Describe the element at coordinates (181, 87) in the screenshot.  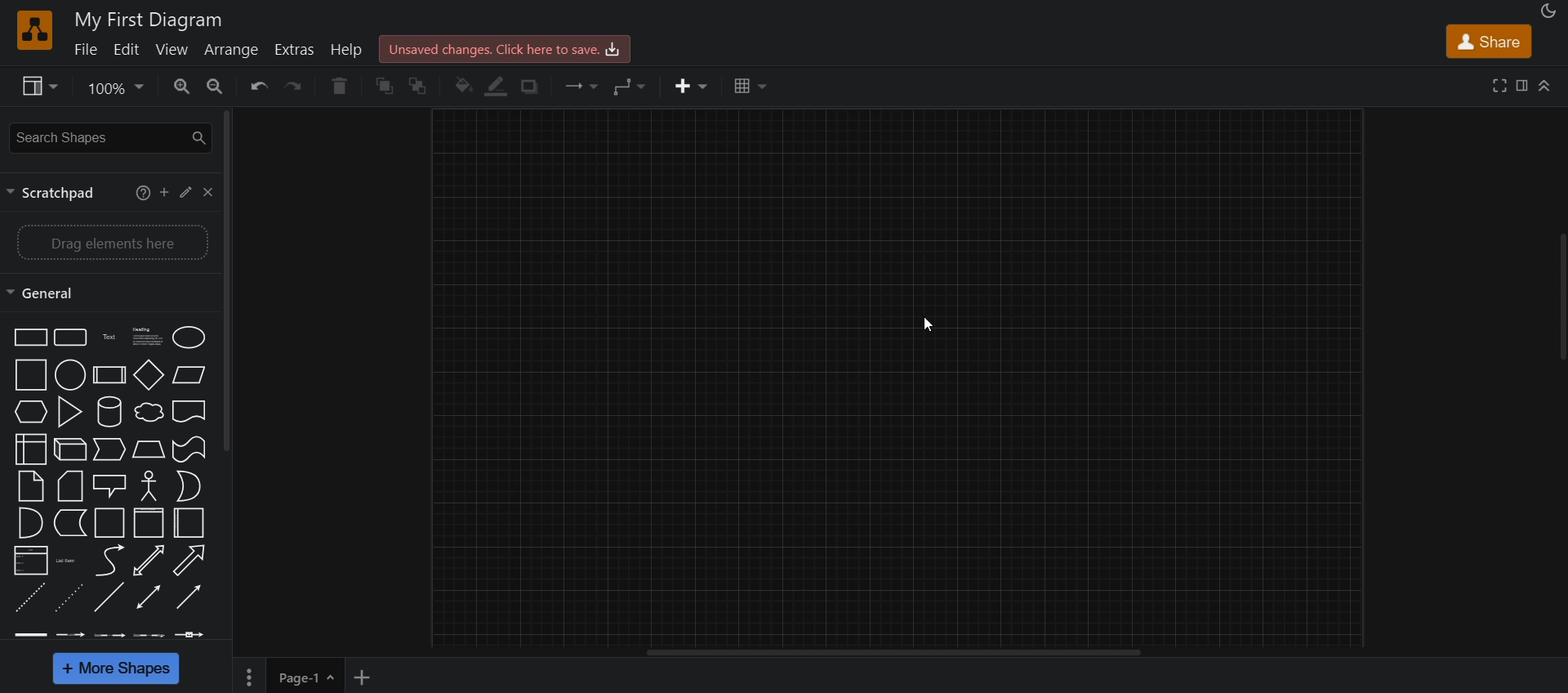
I see `zoom in` at that location.